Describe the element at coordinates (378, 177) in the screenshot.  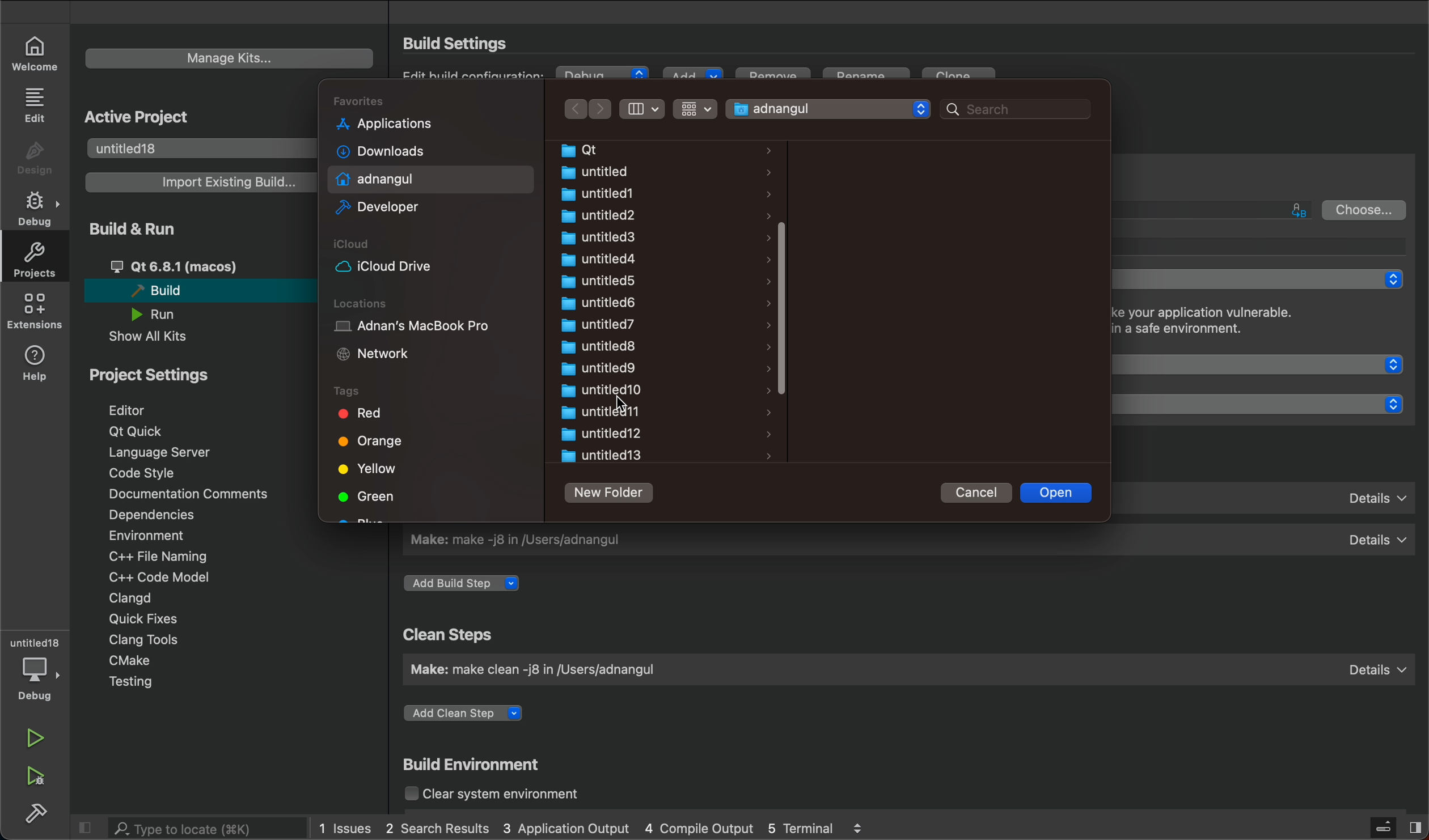
I see `adnangul` at that location.